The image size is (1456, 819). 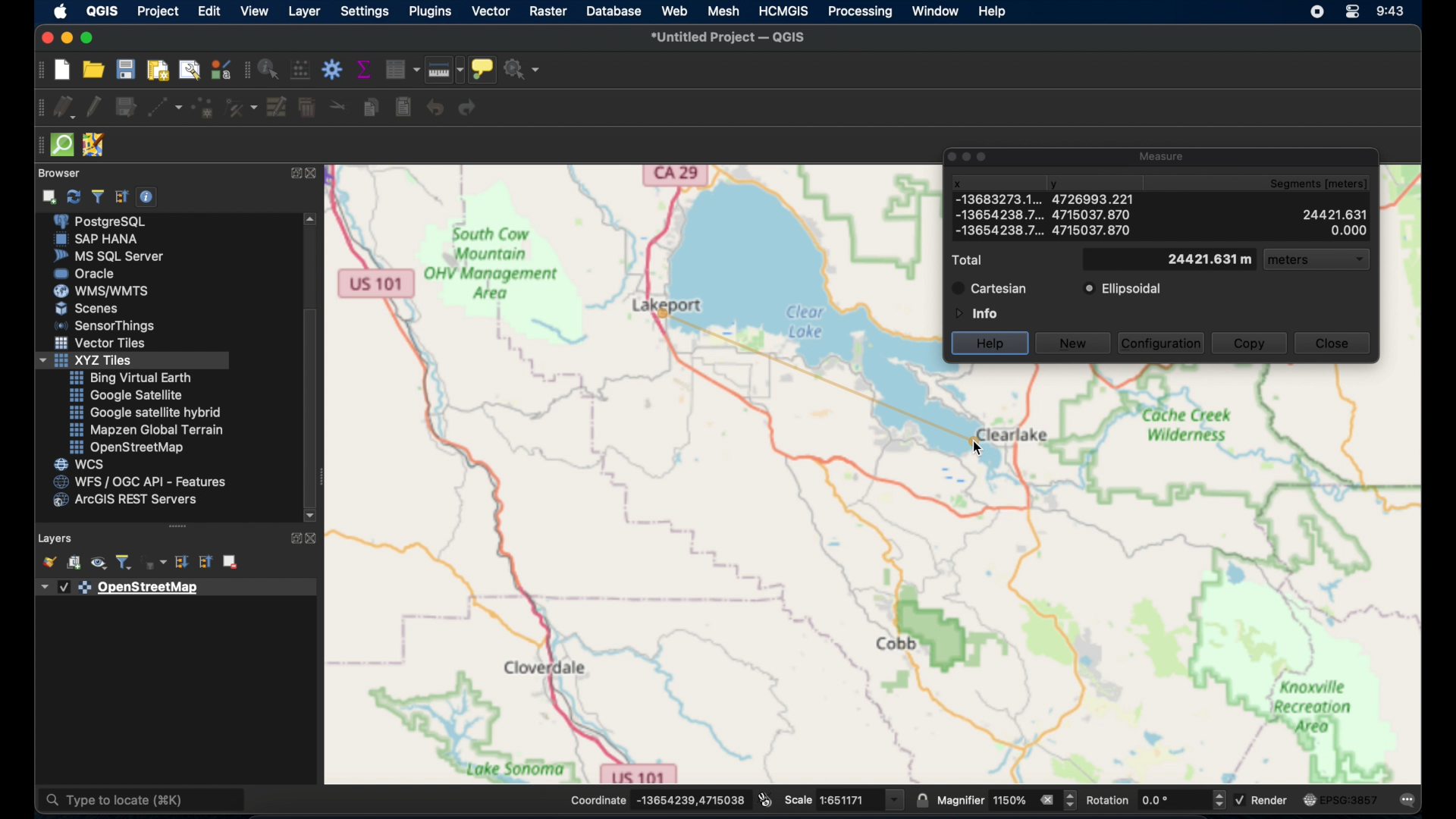 I want to click on -13654238.7... 4715037.870, so click(x=1046, y=231).